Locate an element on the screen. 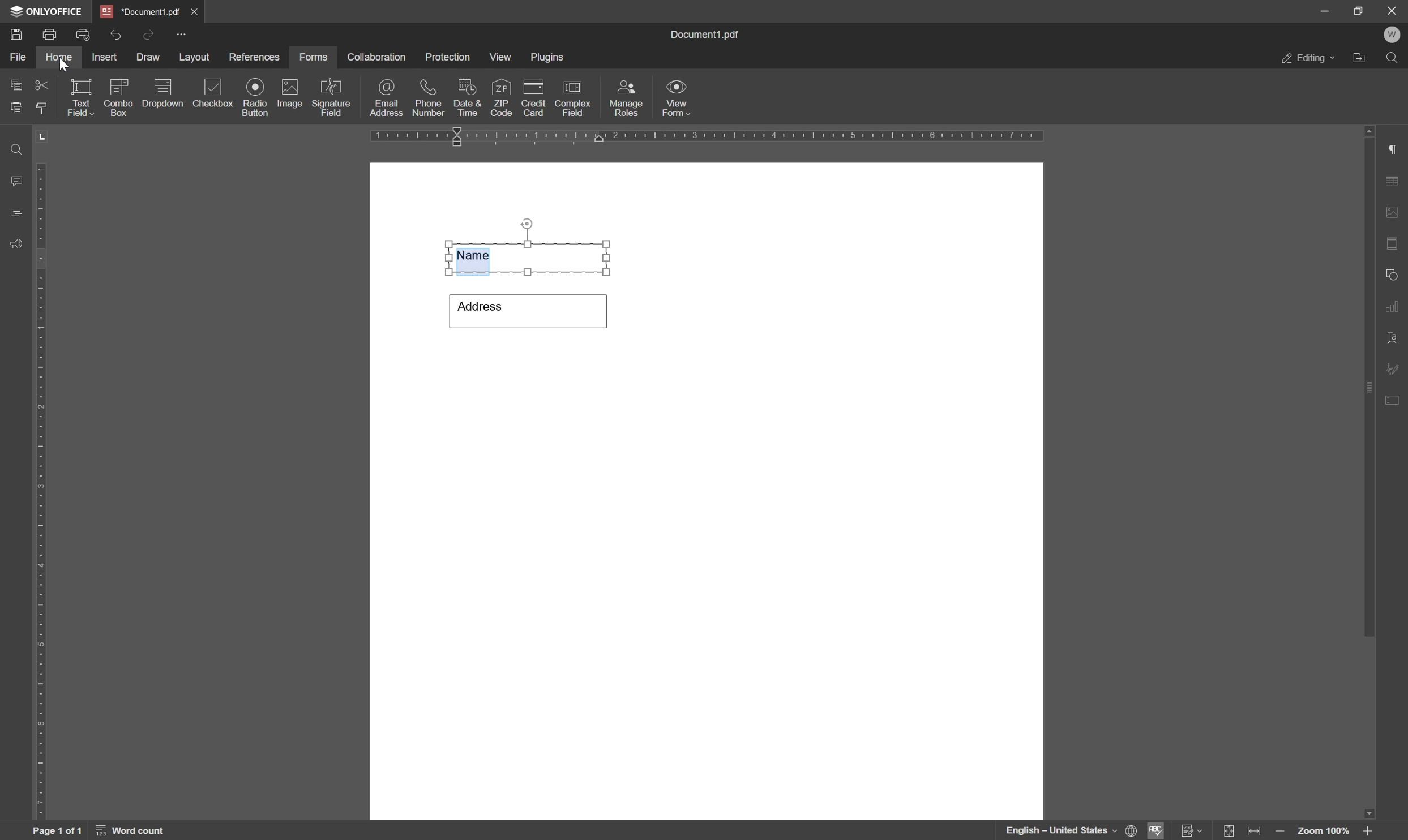 Image resolution: width=1408 pixels, height=840 pixels. scroll bar is located at coordinates (1370, 380).